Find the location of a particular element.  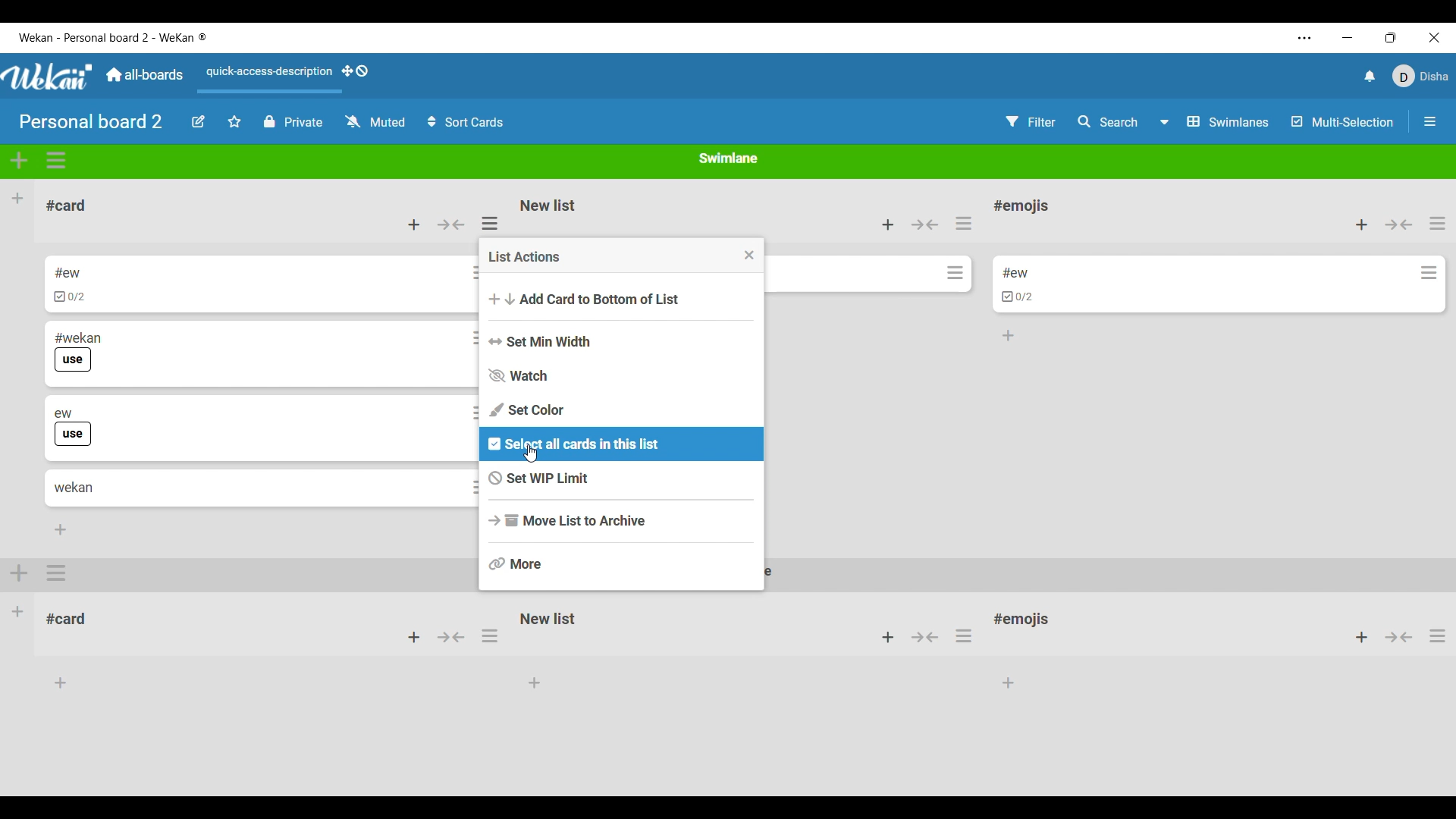

Name of software and current board is located at coordinates (112, 37).